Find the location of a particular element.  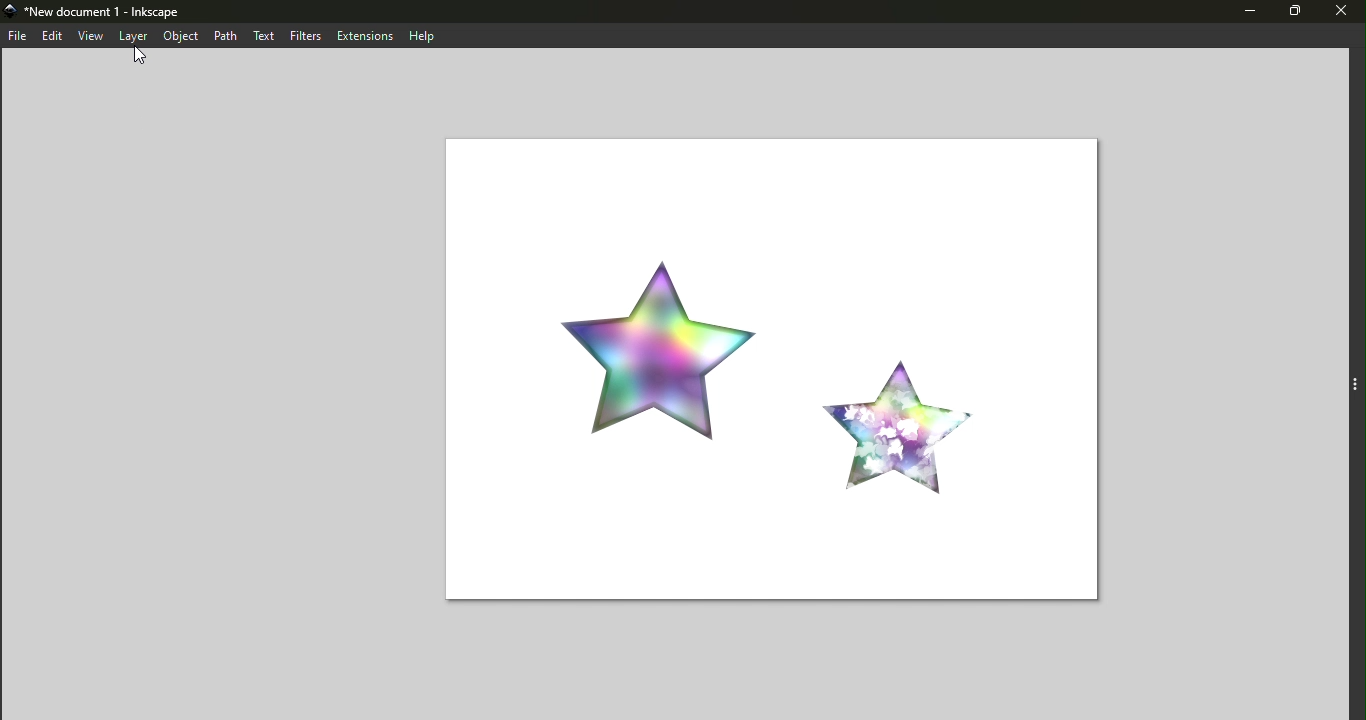

view is located at coordinates (87, 37).